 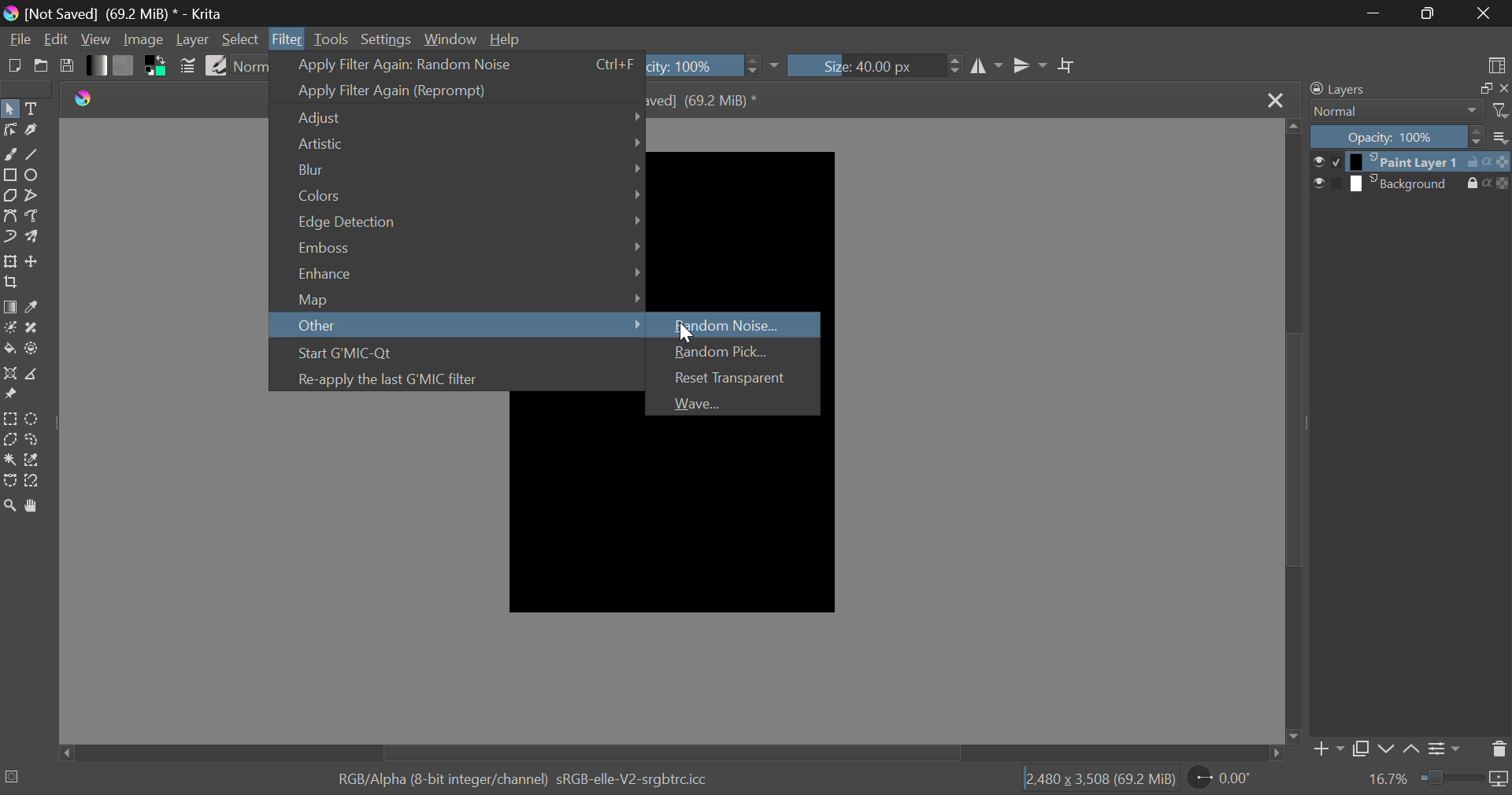 I want to click on Other, so click(x=459, y=326).